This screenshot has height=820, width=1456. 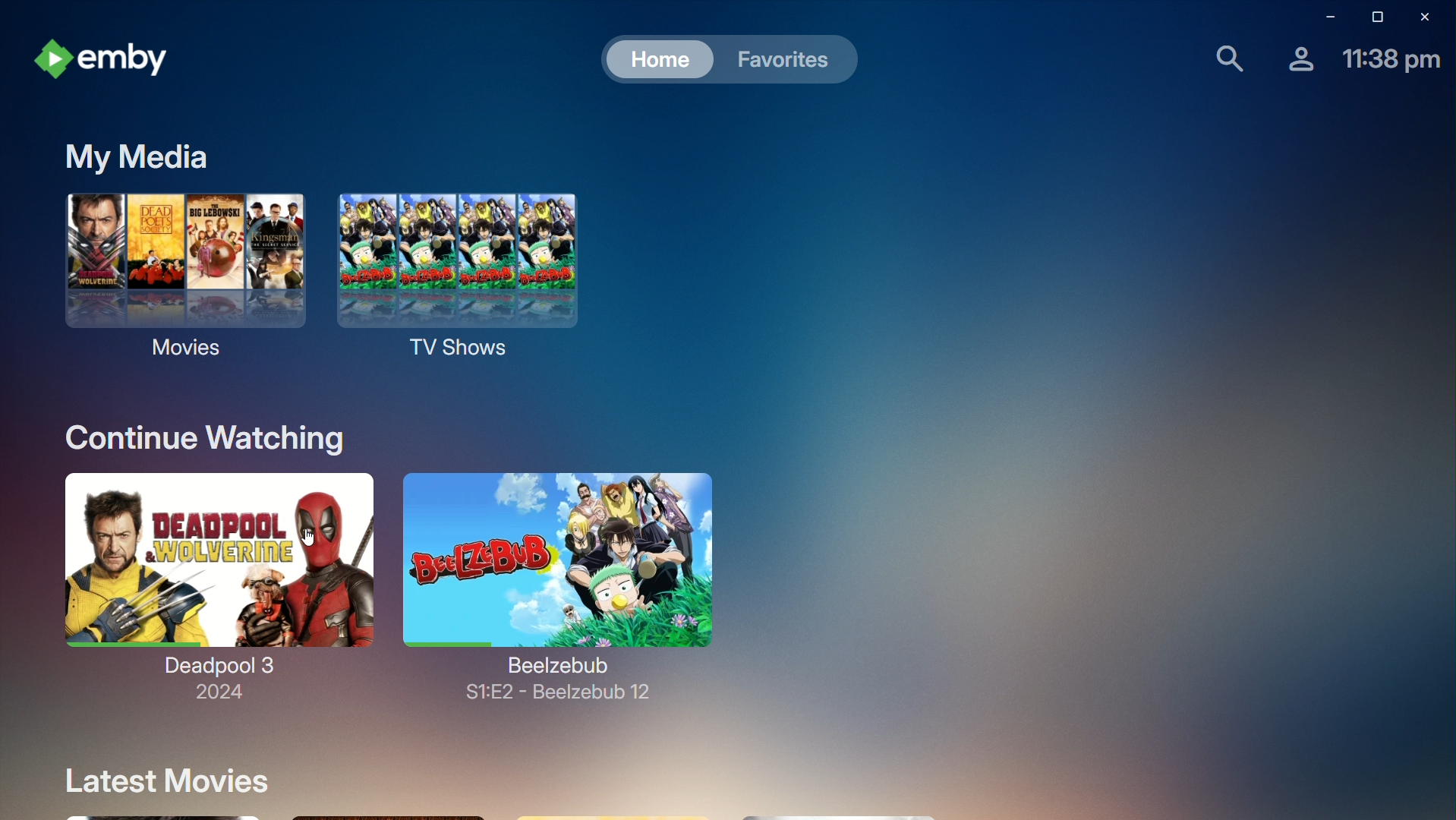 What do you see at coordinates (1371, 17) in the screenshot?
I see `Restore` at bounding box center [1371, 17].